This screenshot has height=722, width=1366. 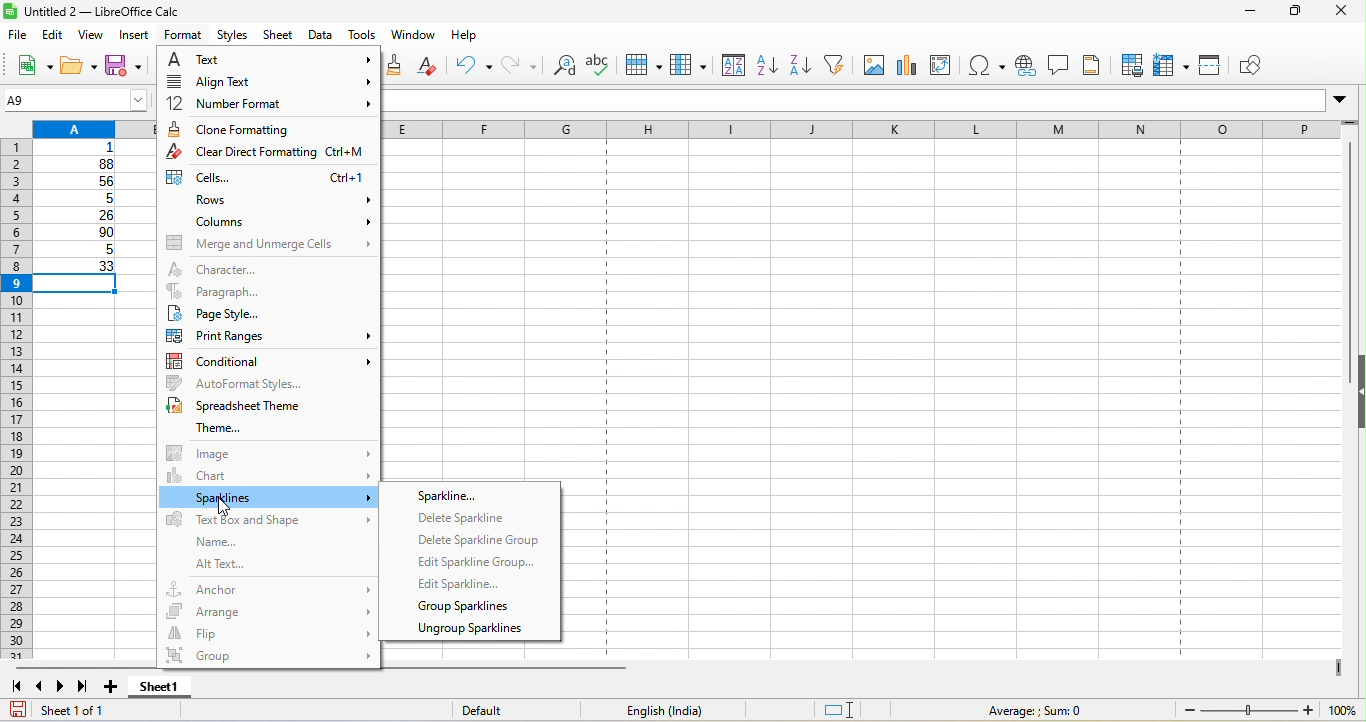 What do you see at coordinates (467, 607) in the screenshot?
I see `group sparklins` at bounding box center [467, 607].